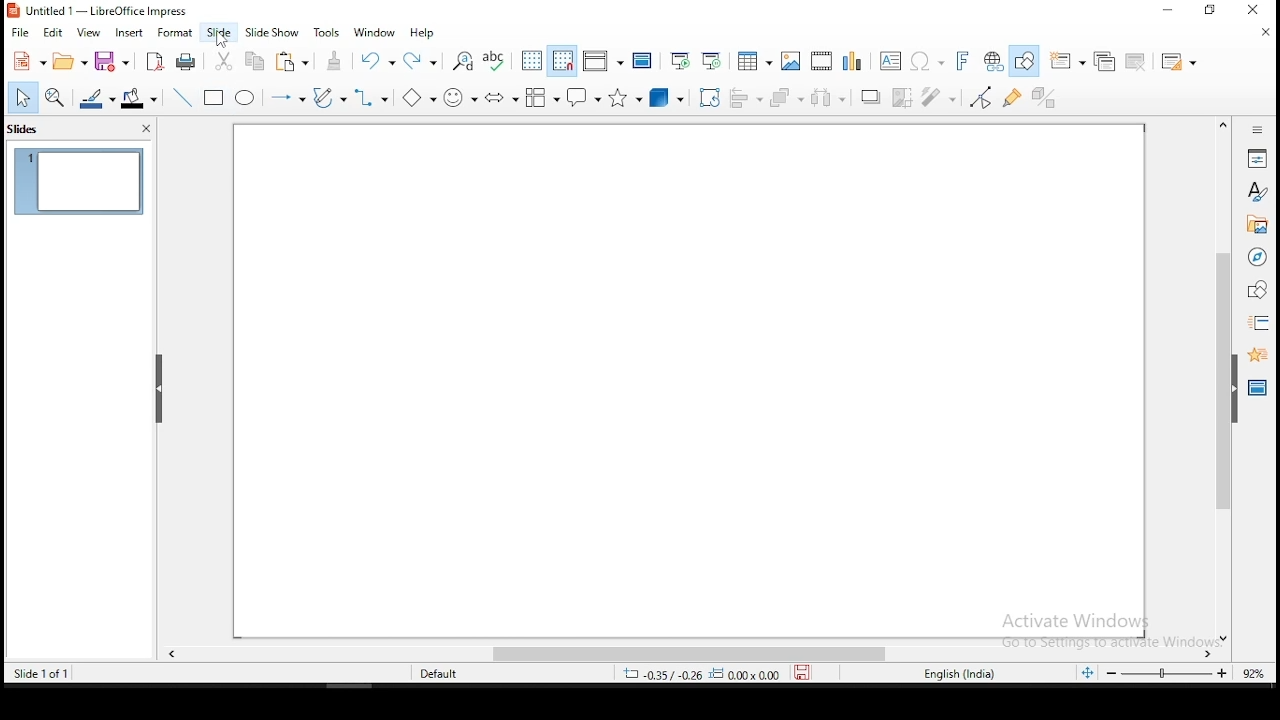  What do you see at coordinates (78, 181) in the screenshot?
I see `slide` at bounding box center [78, 181].